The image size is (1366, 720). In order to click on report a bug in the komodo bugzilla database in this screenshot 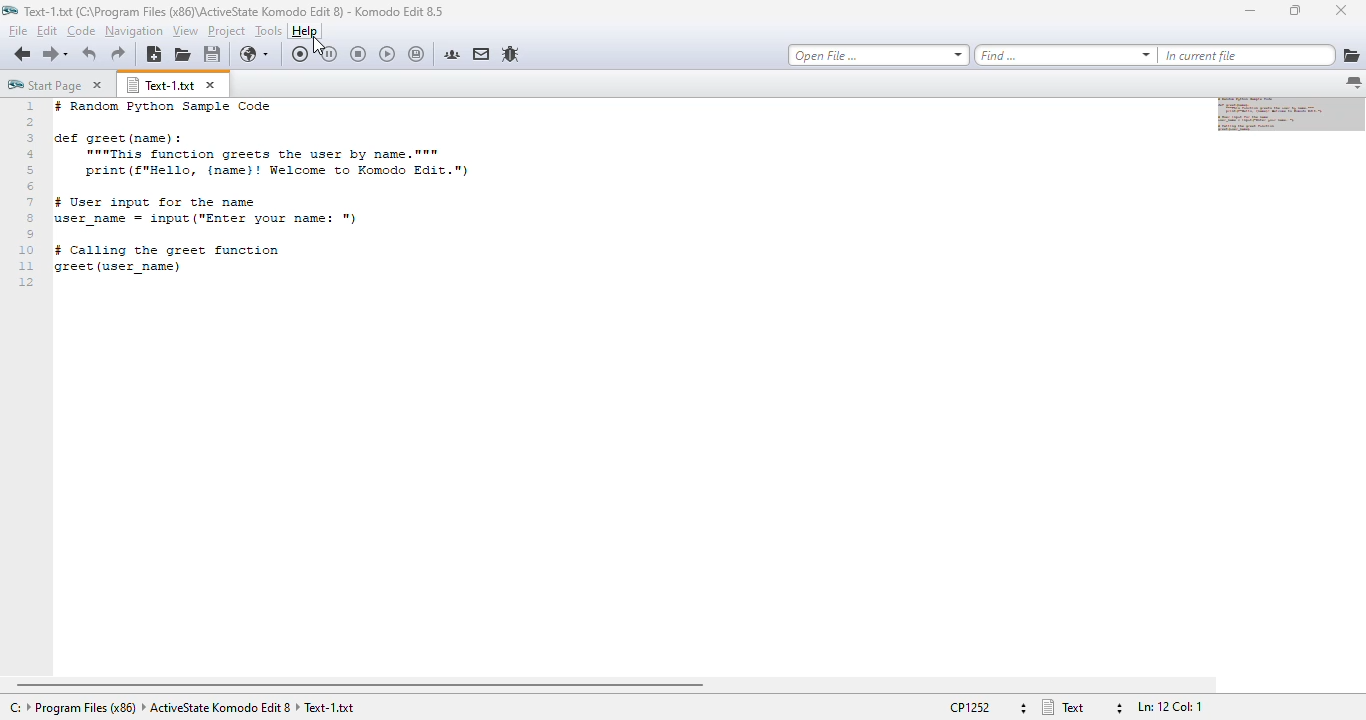, I will do `click(511, 53)`.